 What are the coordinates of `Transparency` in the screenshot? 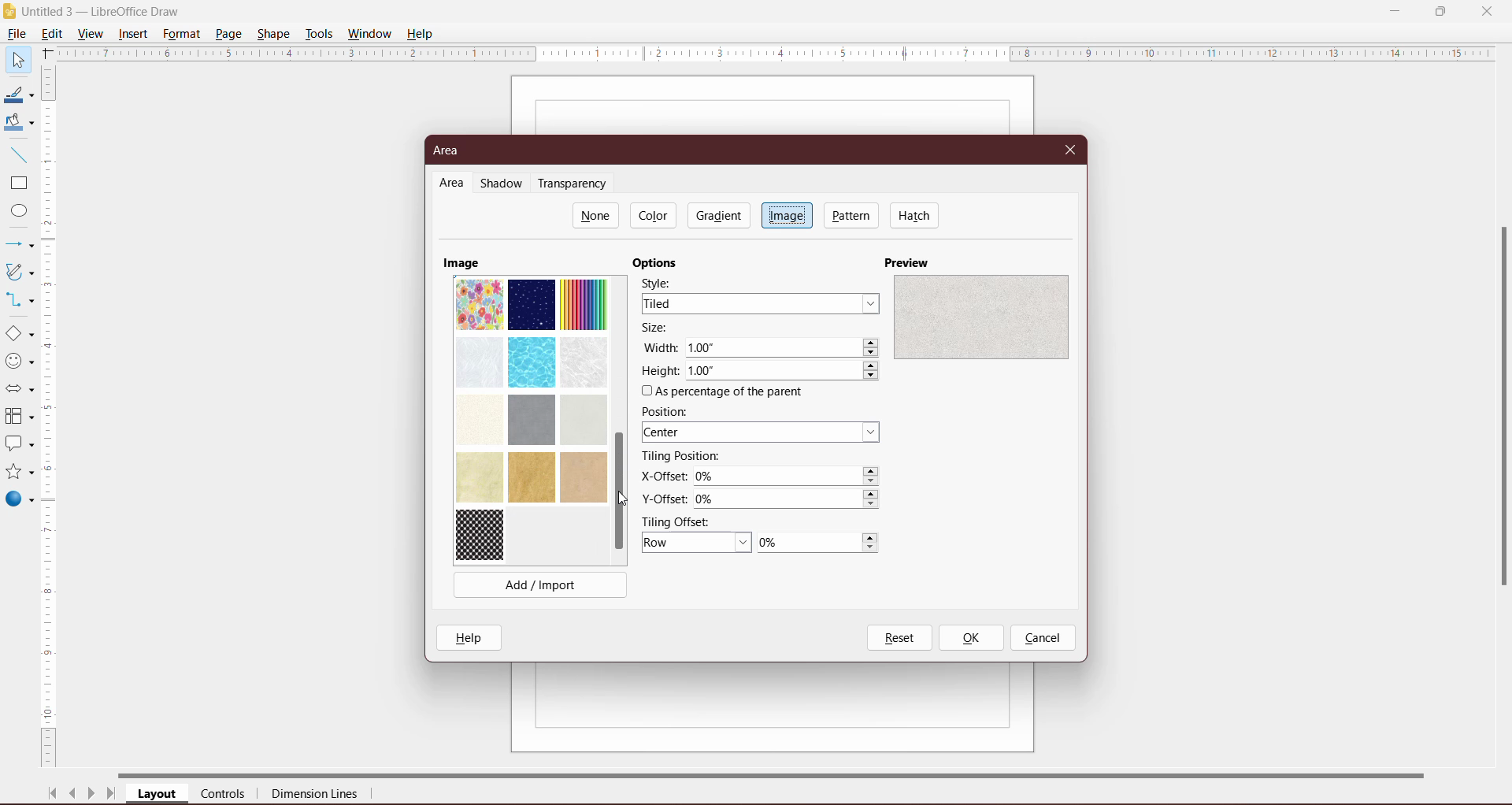 It's located at (576, 184).